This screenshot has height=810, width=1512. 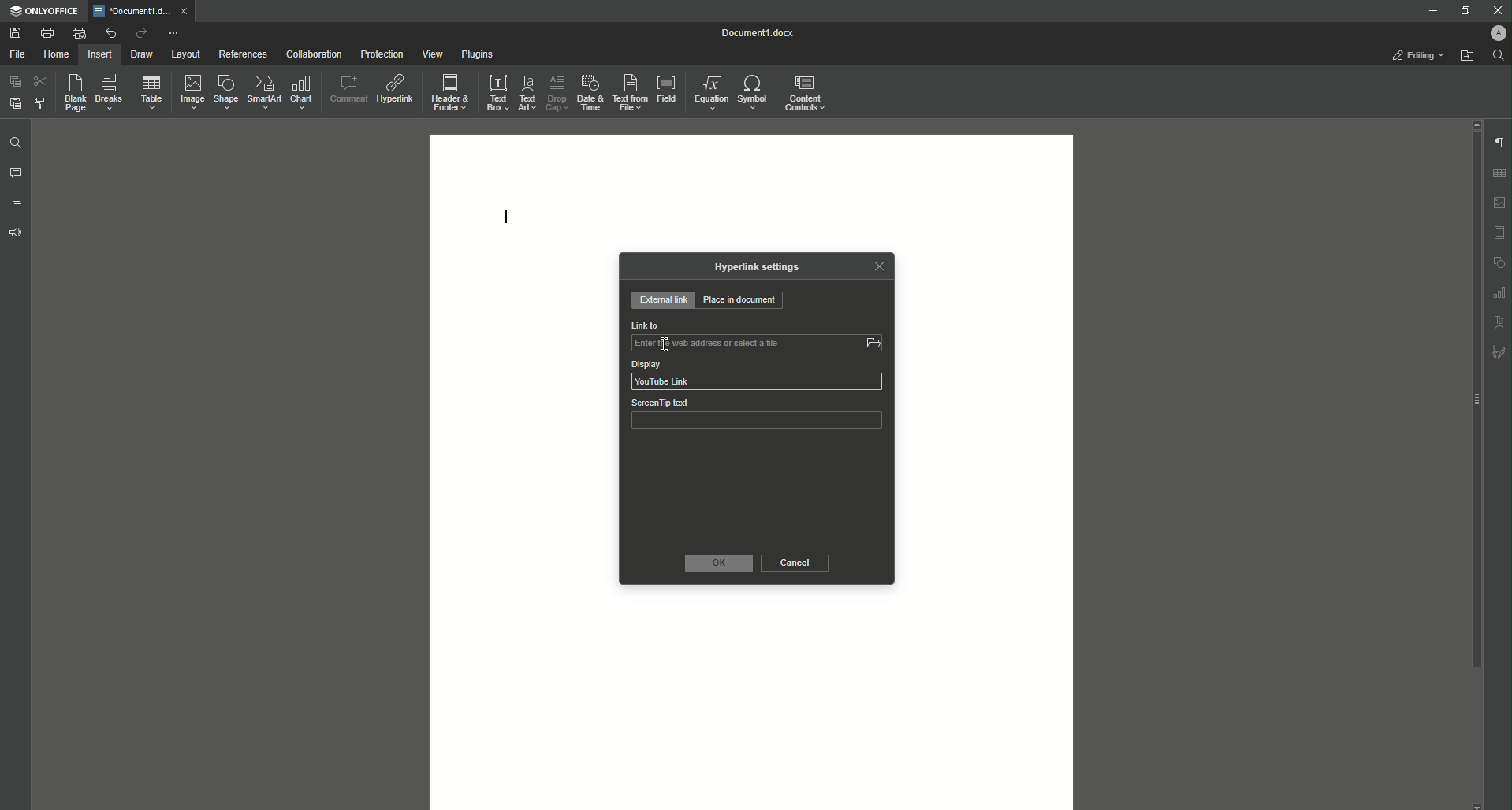 I want to click on Comment, so click(x=346, y=91).